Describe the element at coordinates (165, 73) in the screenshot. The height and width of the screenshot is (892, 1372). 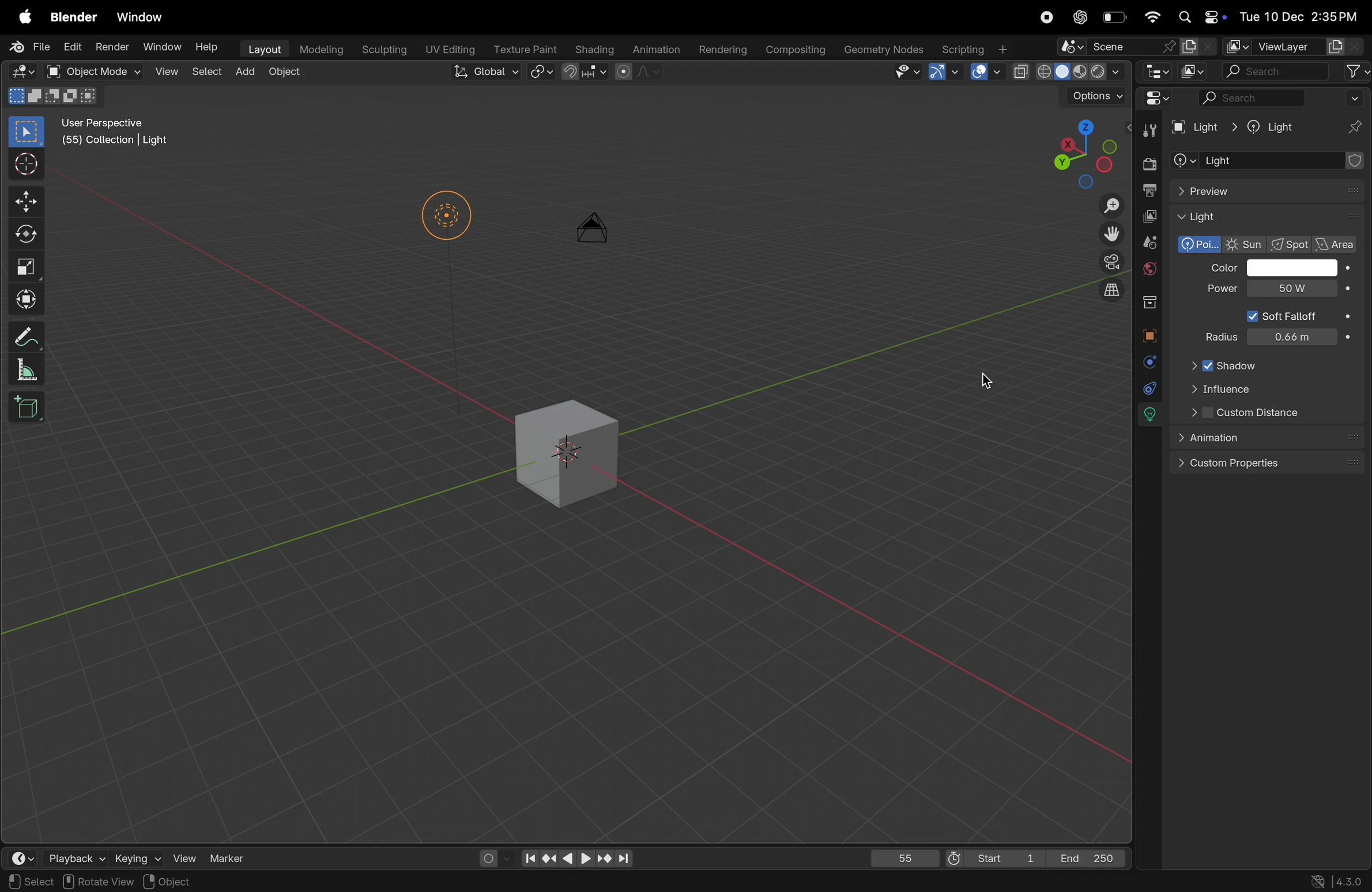
I see `view` at that location.